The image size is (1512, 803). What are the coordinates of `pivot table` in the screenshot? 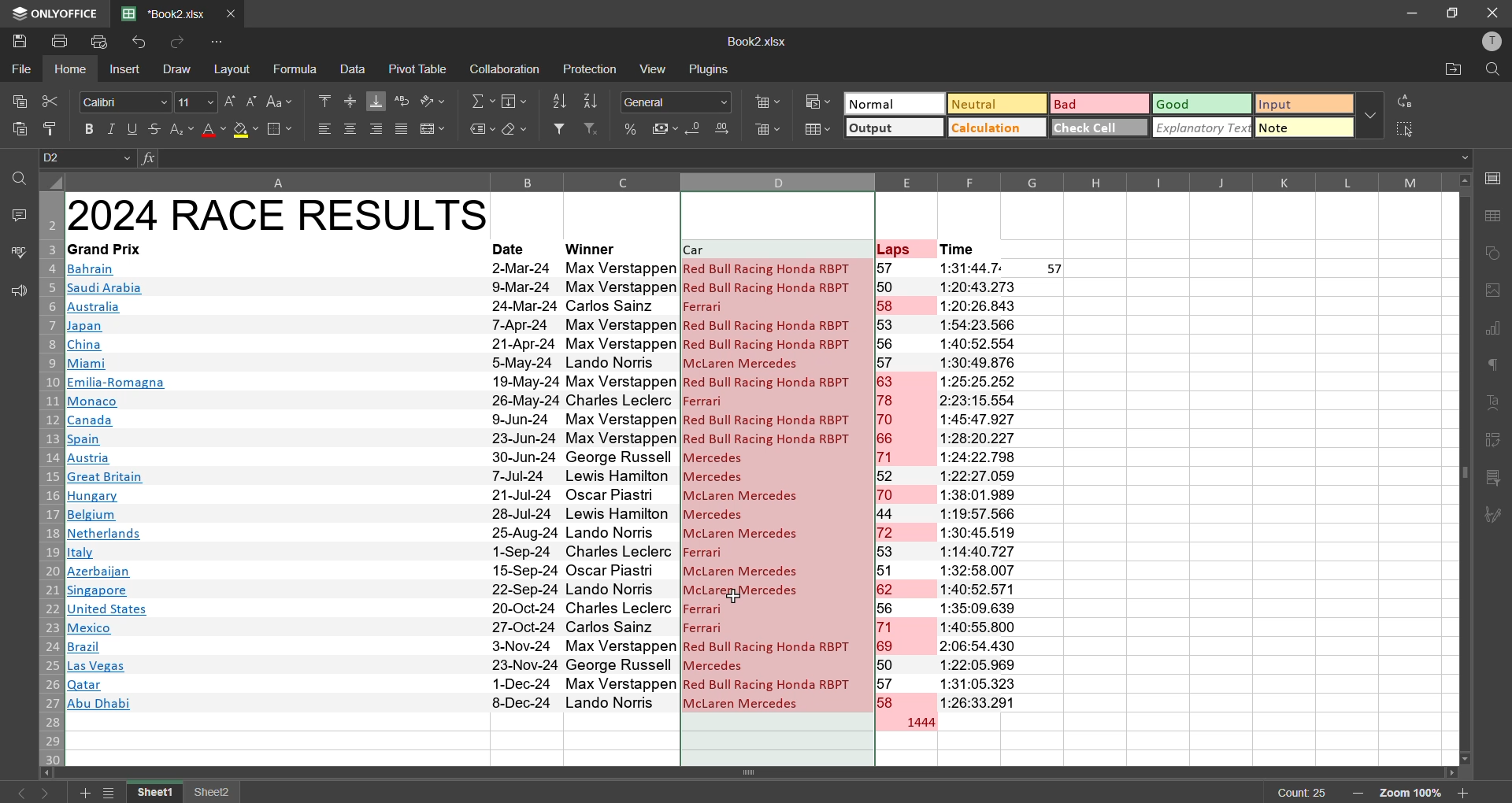 It's located at (1494, 443).